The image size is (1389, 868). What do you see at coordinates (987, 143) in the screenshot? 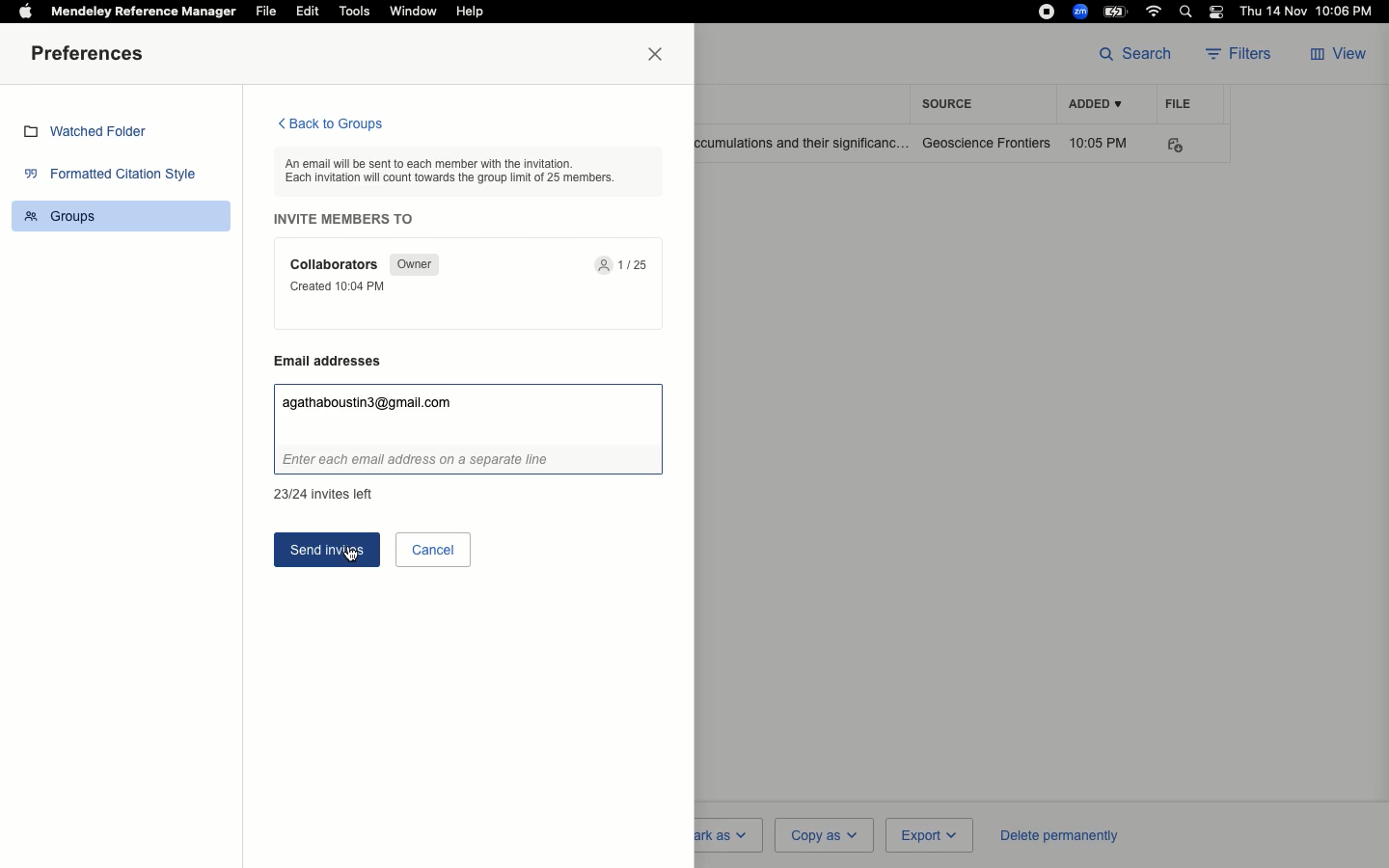
I see `Geoscience frontiers` at bounding box center [987, 143].